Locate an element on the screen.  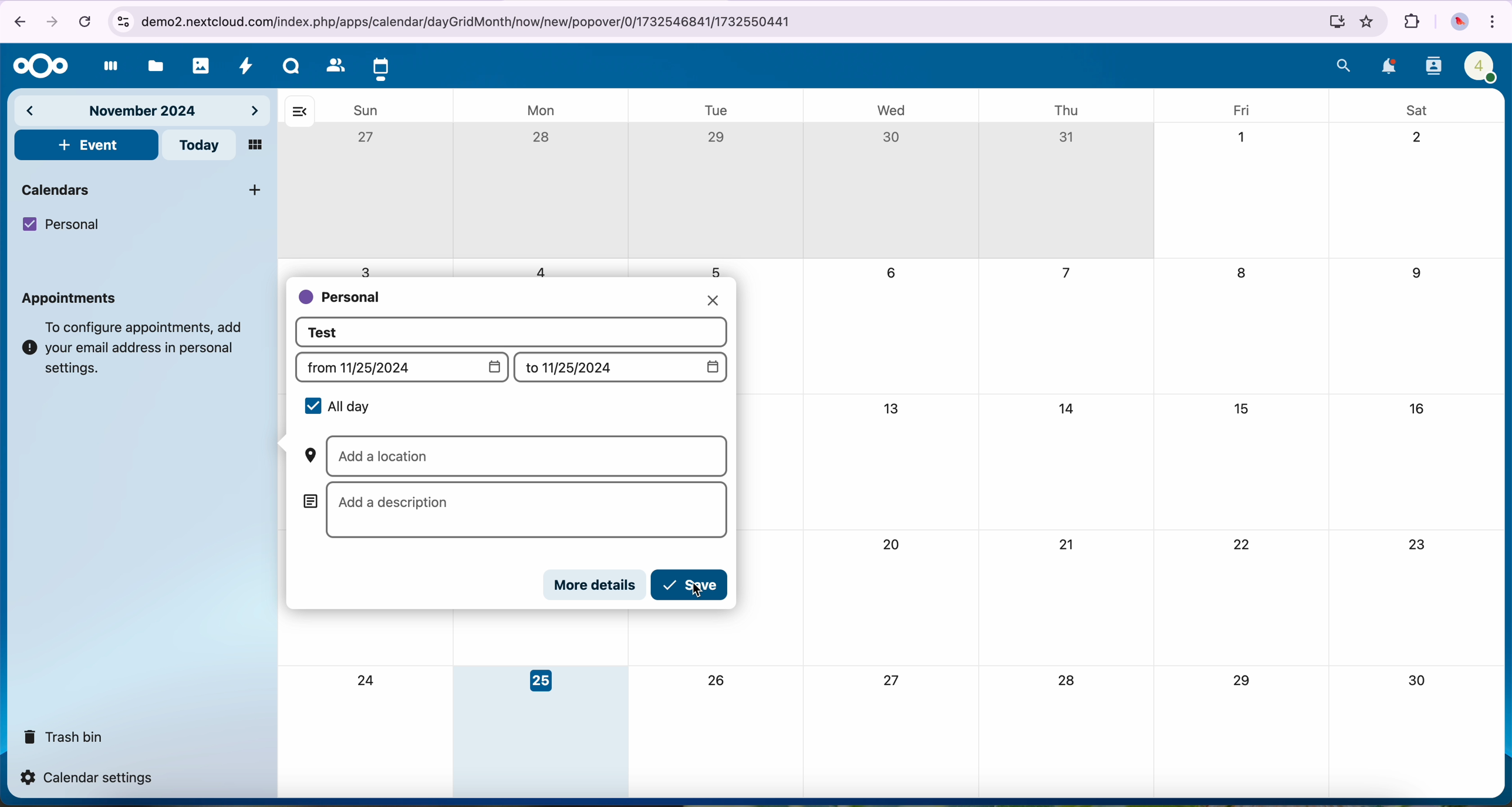
13 is located at coordinates (890, 407).